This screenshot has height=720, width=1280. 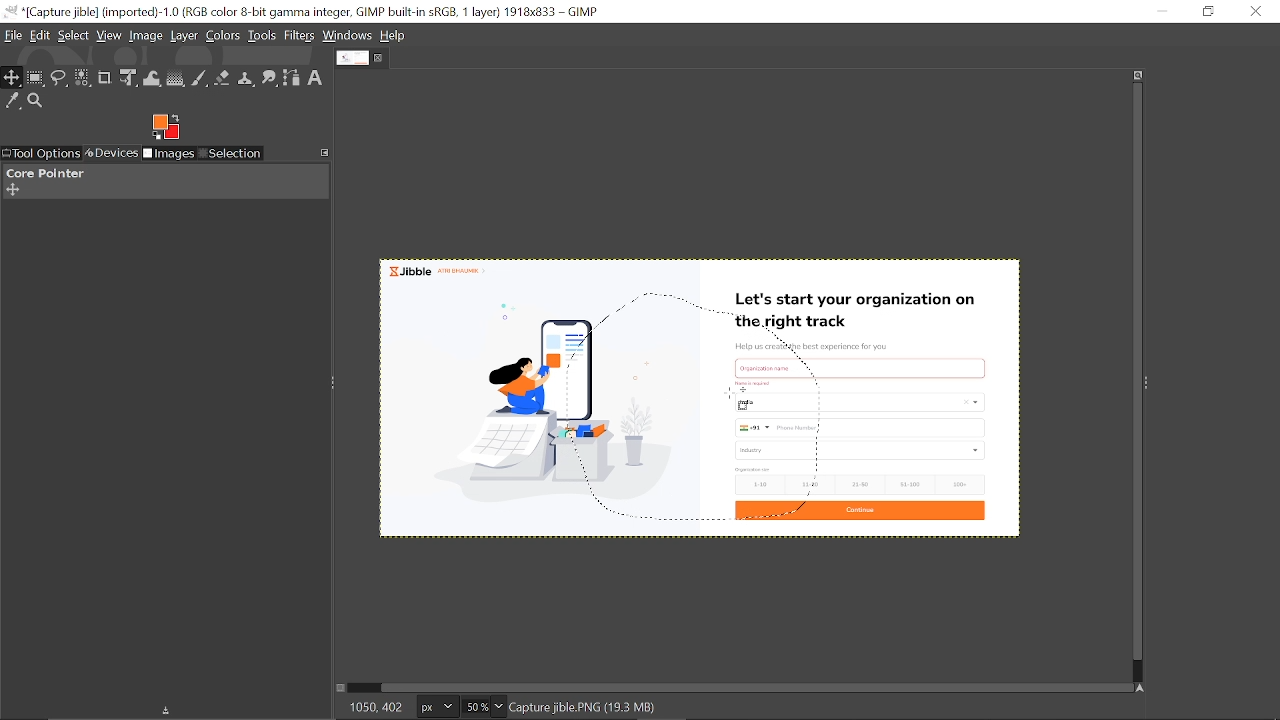 I want to click on Add, so click(x=12, y=190).